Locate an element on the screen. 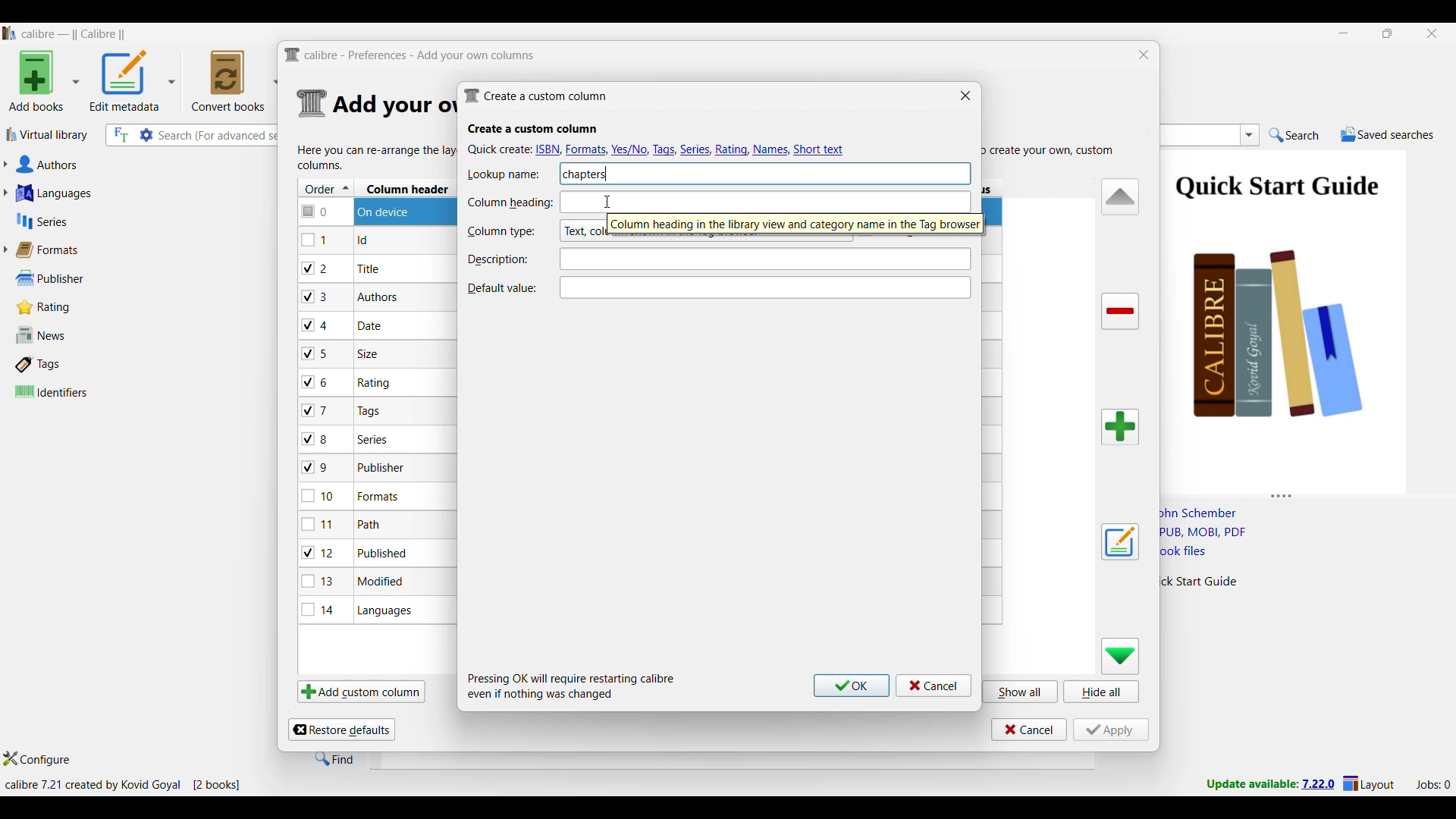  Change height of columns attached to this panel is located at coordinates (1307, 493).